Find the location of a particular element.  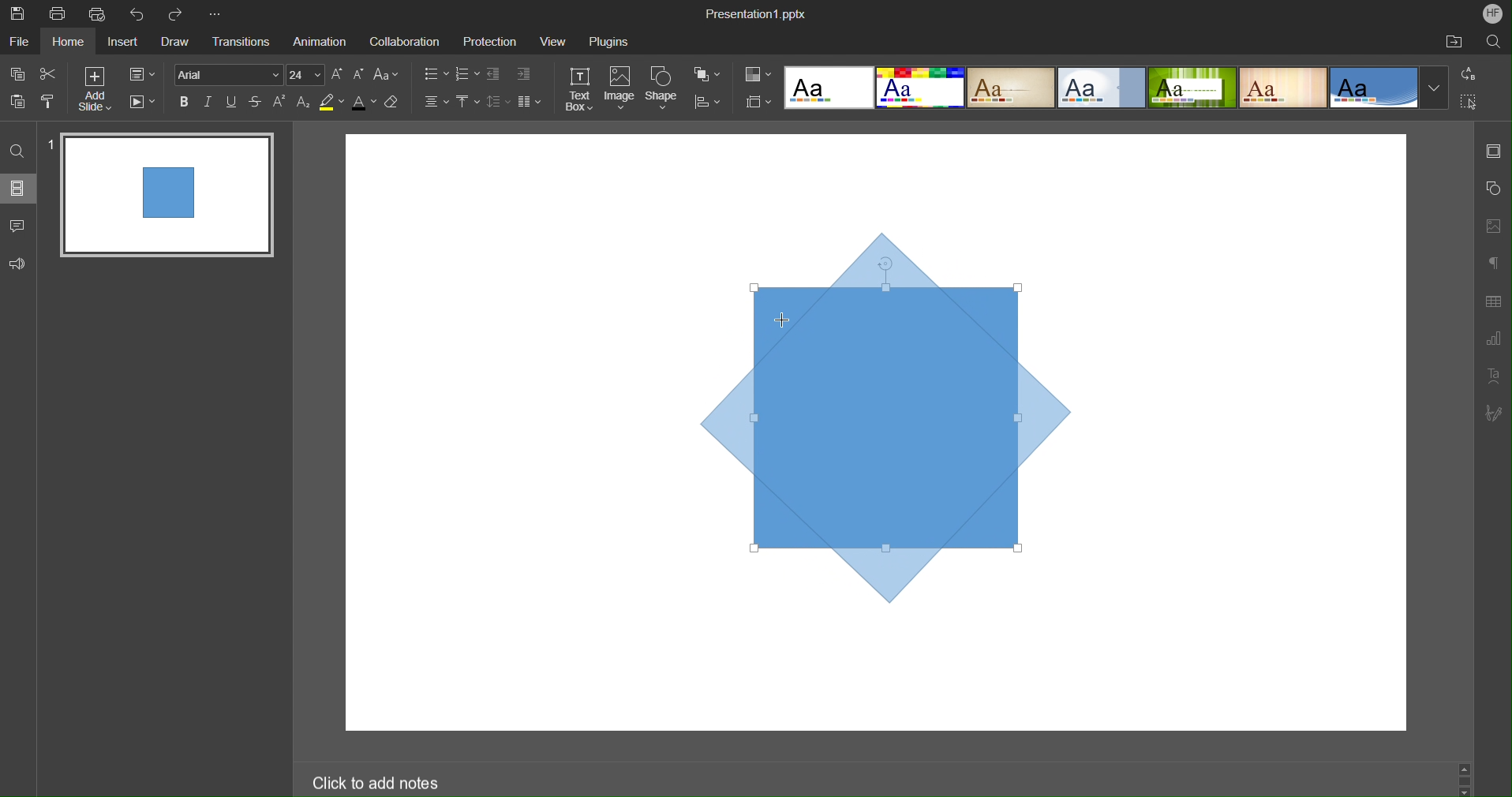

Open File Location is located at coordinates (1449, 41).